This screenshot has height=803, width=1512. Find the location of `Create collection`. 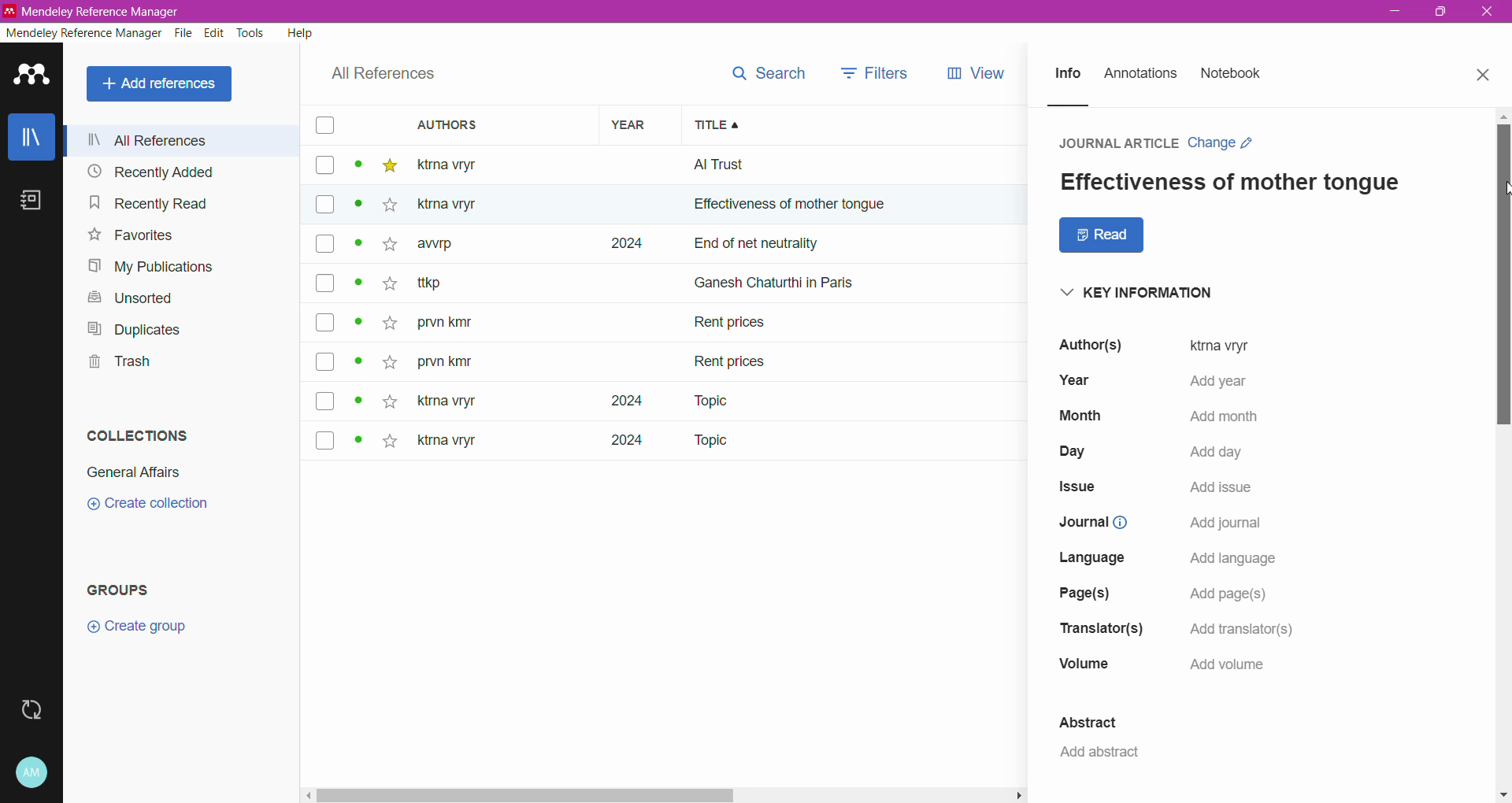

Create collection is located at coordinates (146, 505).